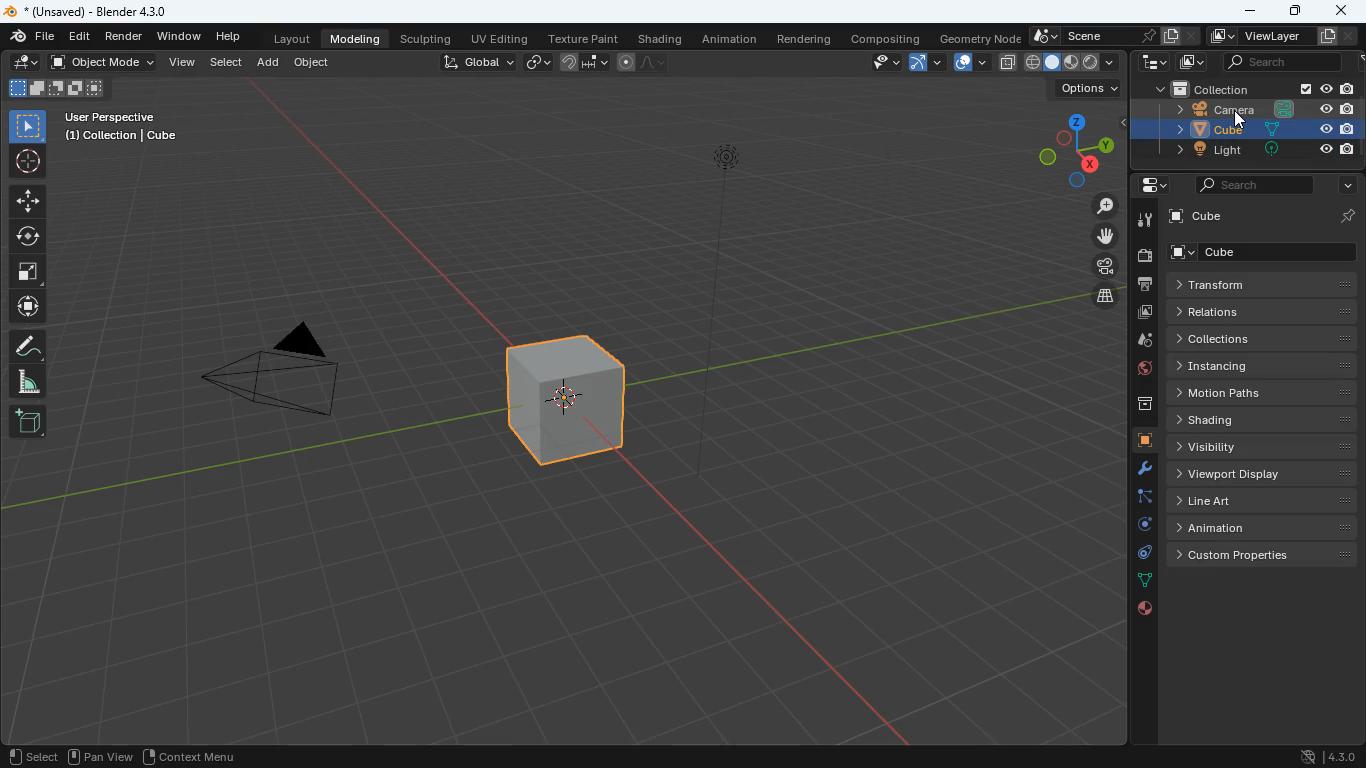  I want to click on camera, so click(1142, 256).